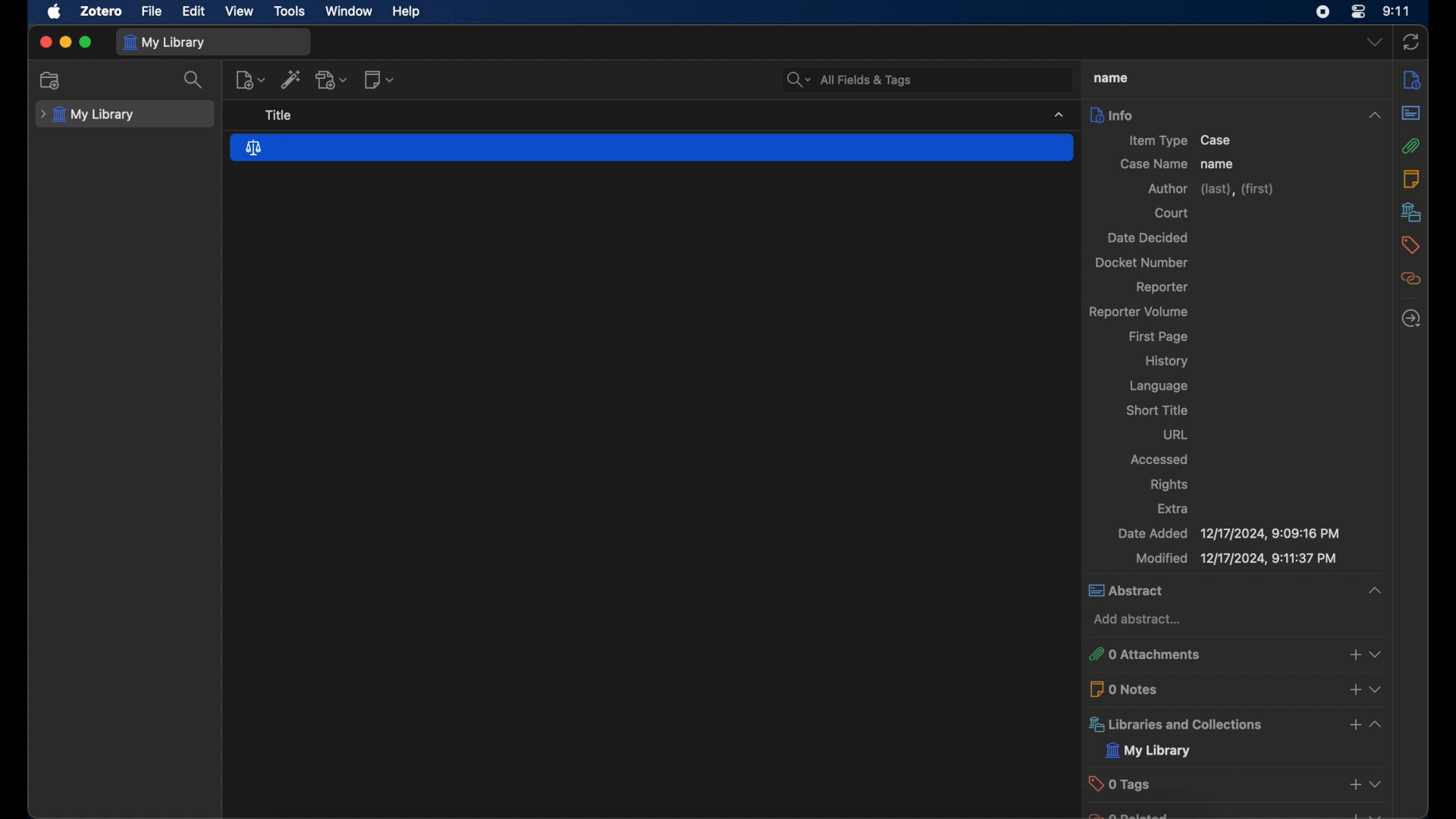 This screenshot has height=819, width=1456. I want to click on tags, so click(1237, 783).